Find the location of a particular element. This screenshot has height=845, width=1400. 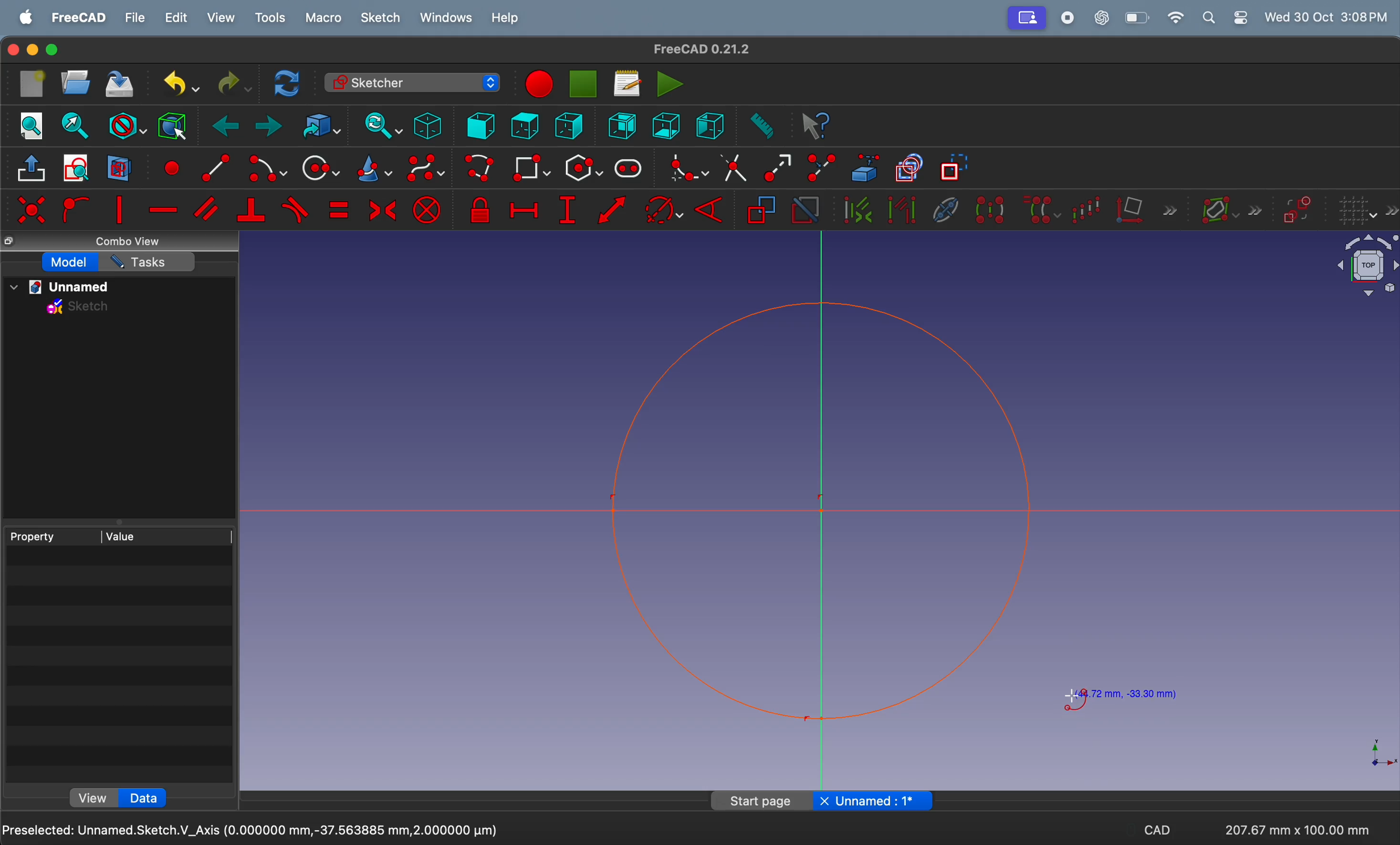

switch virtual space is located at coordinates (1298, 210).